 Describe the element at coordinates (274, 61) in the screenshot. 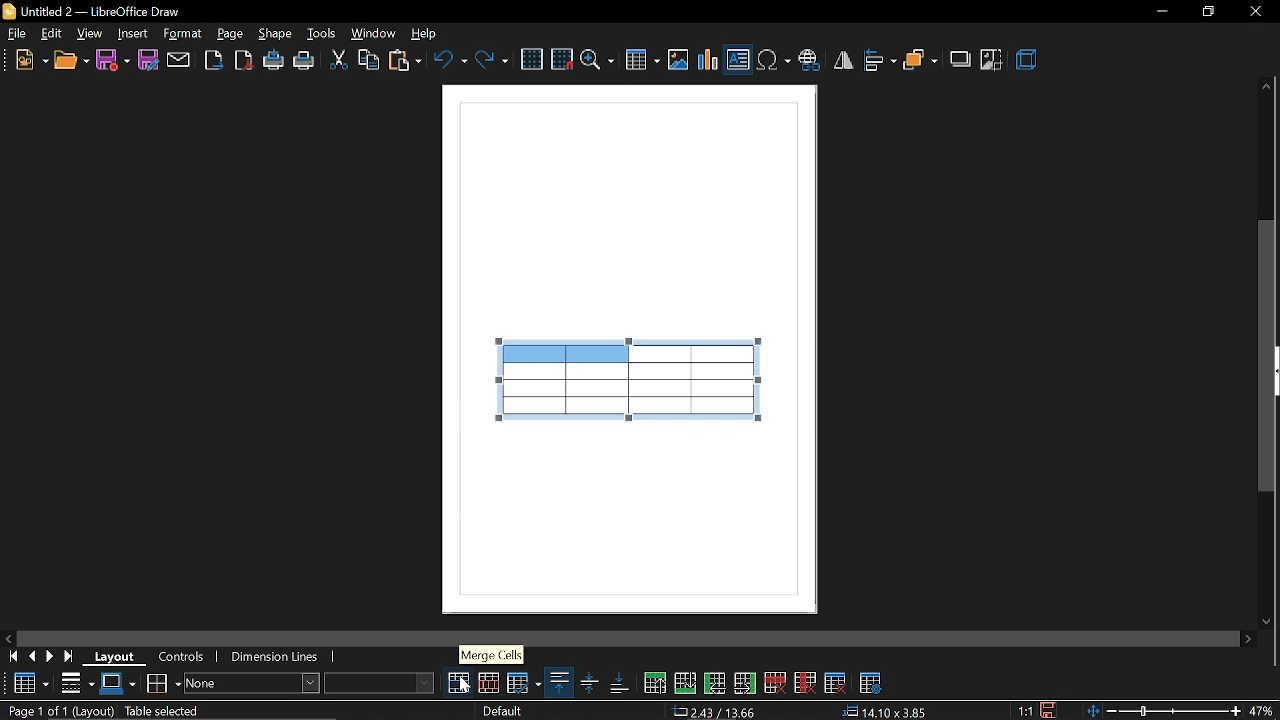

I see `print directly` at that location.